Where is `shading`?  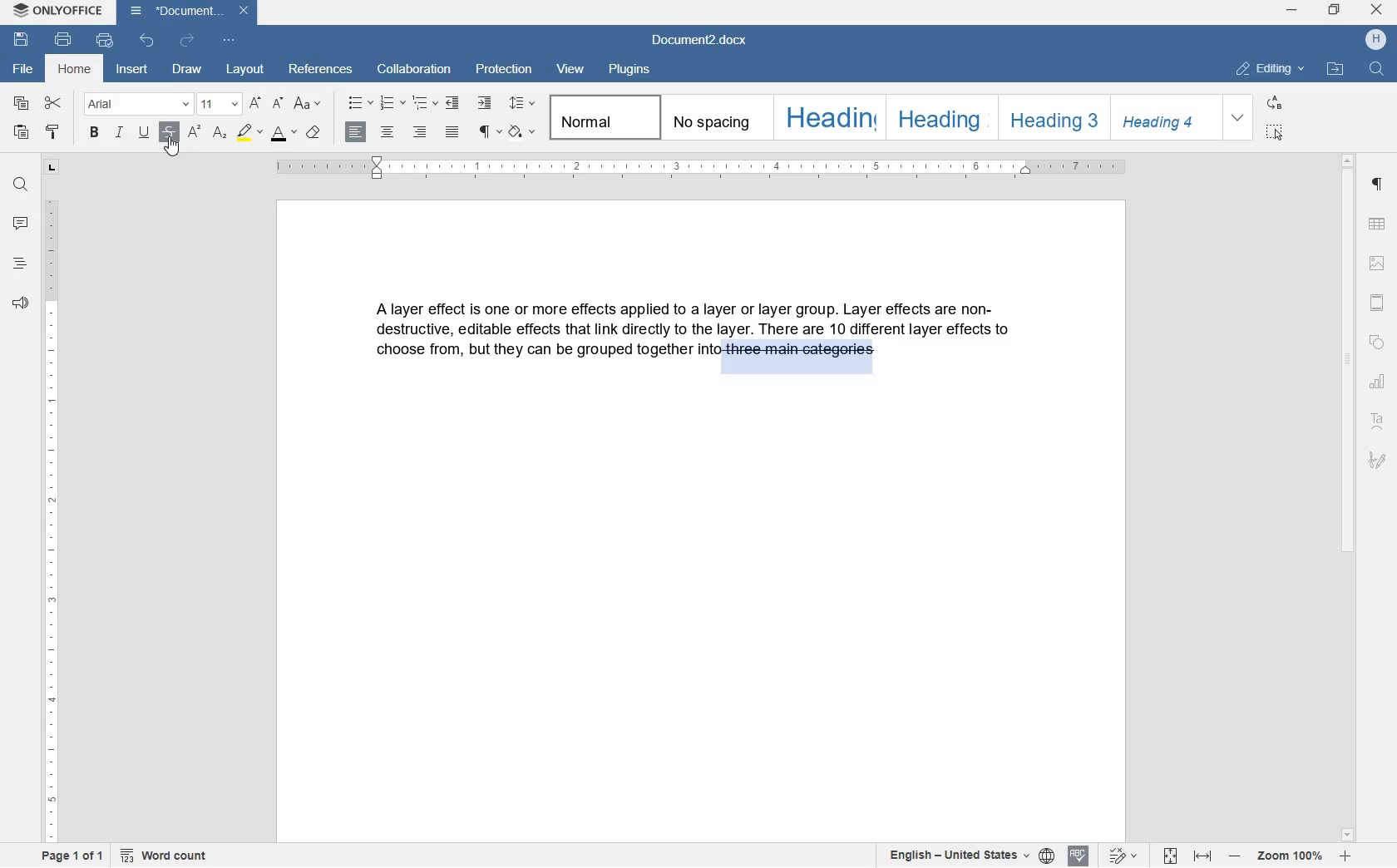 shading is located at coordinates (522, 131).